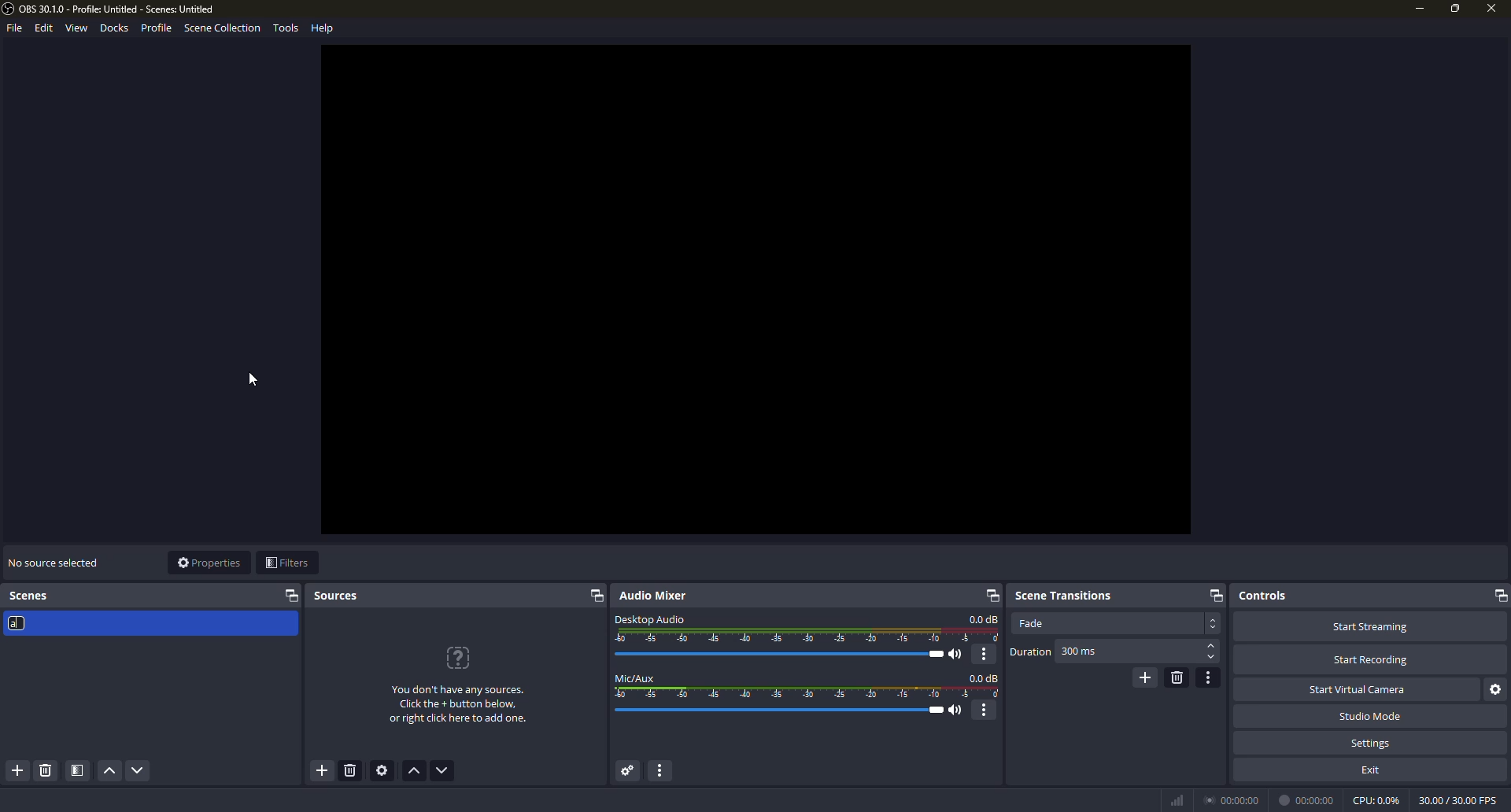 The image size is (1511, 812). I want to click on 300 ms, so click(1080, 652).